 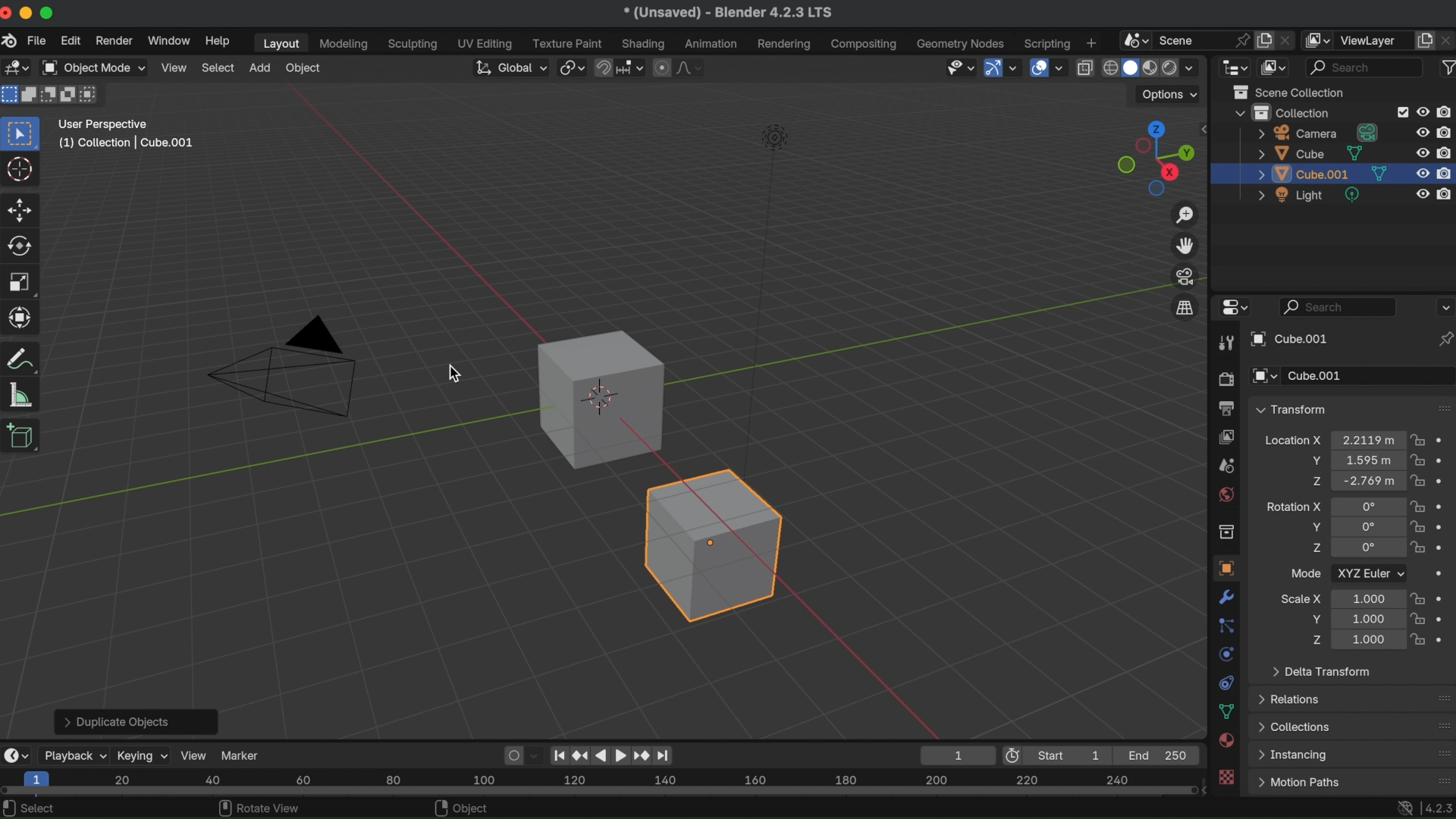 What do you see at coordinates (21, 171) in the screenshot?
I see `cursor` at bounding box center [21, 171].